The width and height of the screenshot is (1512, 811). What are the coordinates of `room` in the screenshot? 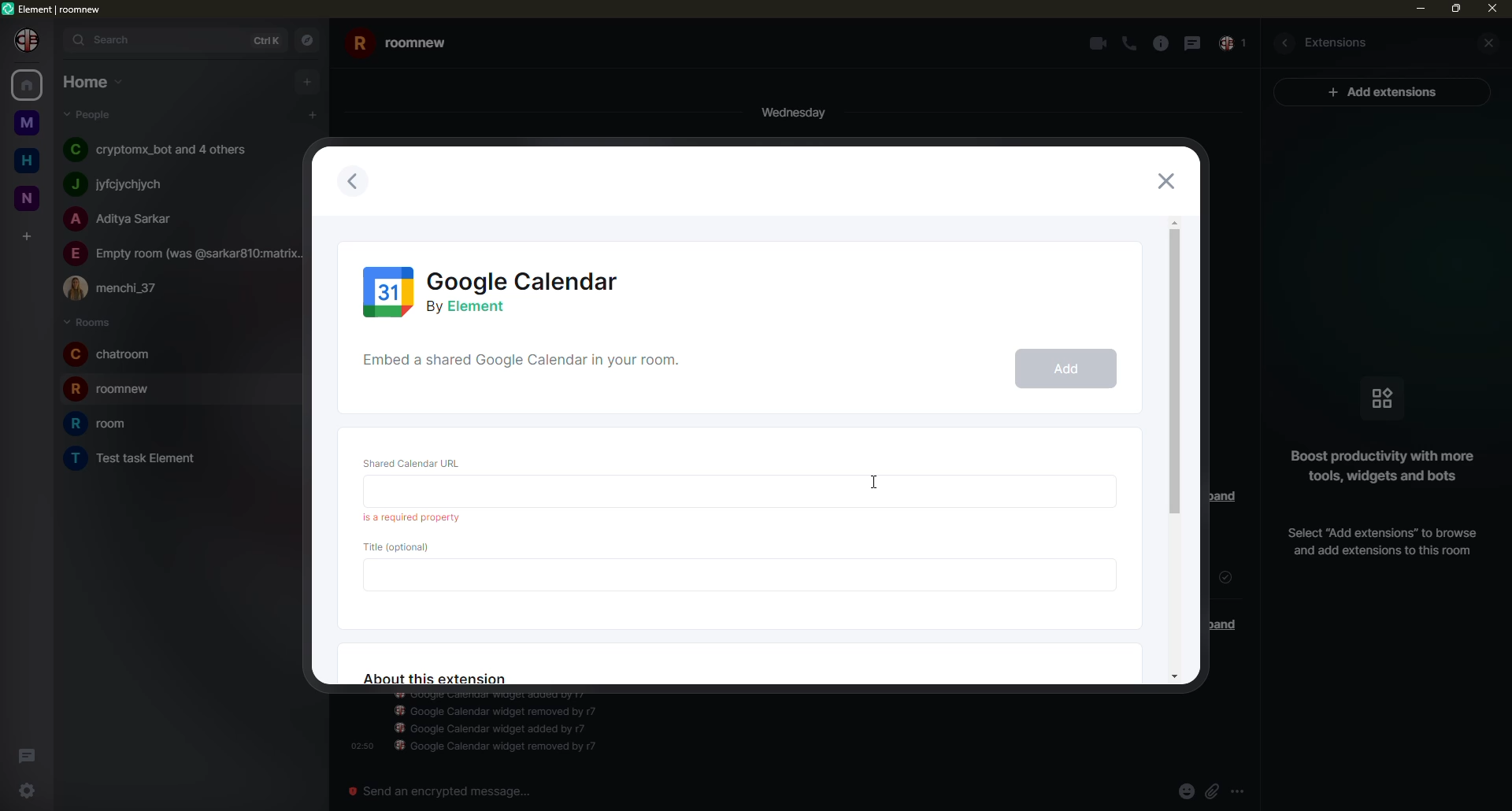 It's located at (113, 388).